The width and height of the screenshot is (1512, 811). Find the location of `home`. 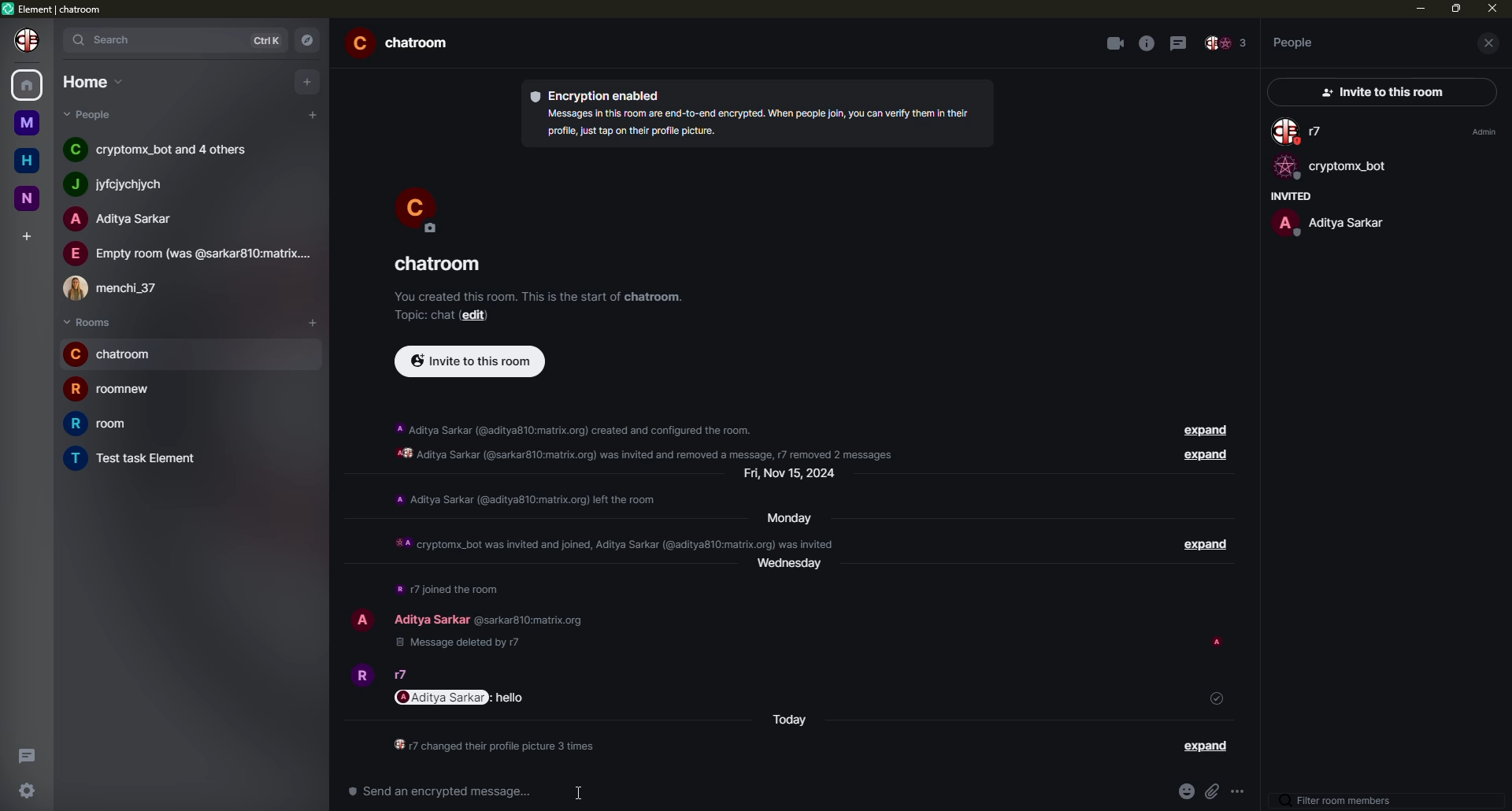

home is located at coordinates (94, 81).